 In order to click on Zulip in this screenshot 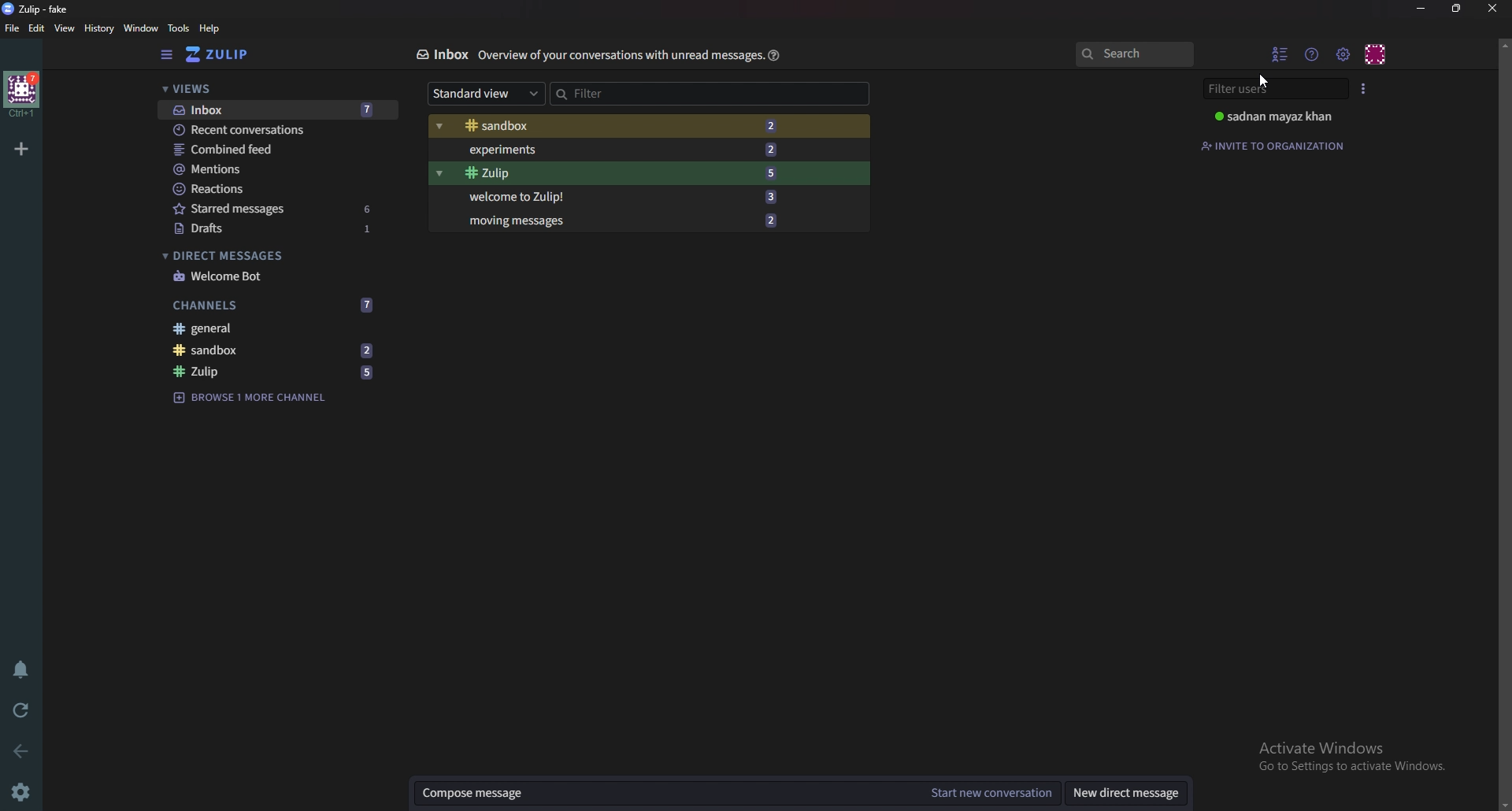, I will do `click(232, 54)`.